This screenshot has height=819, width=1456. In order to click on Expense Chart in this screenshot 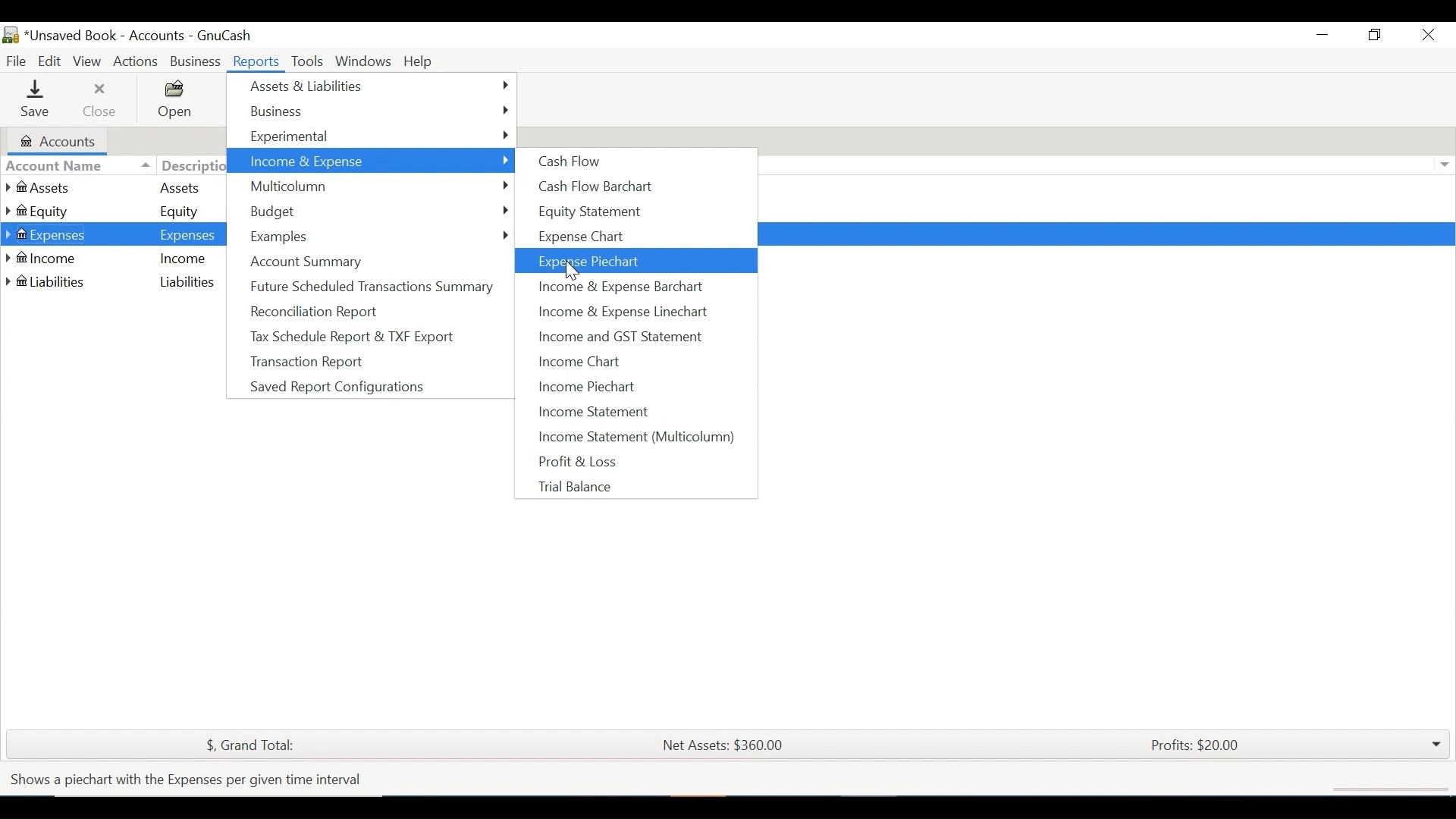, I will do `click(583, 236)`.